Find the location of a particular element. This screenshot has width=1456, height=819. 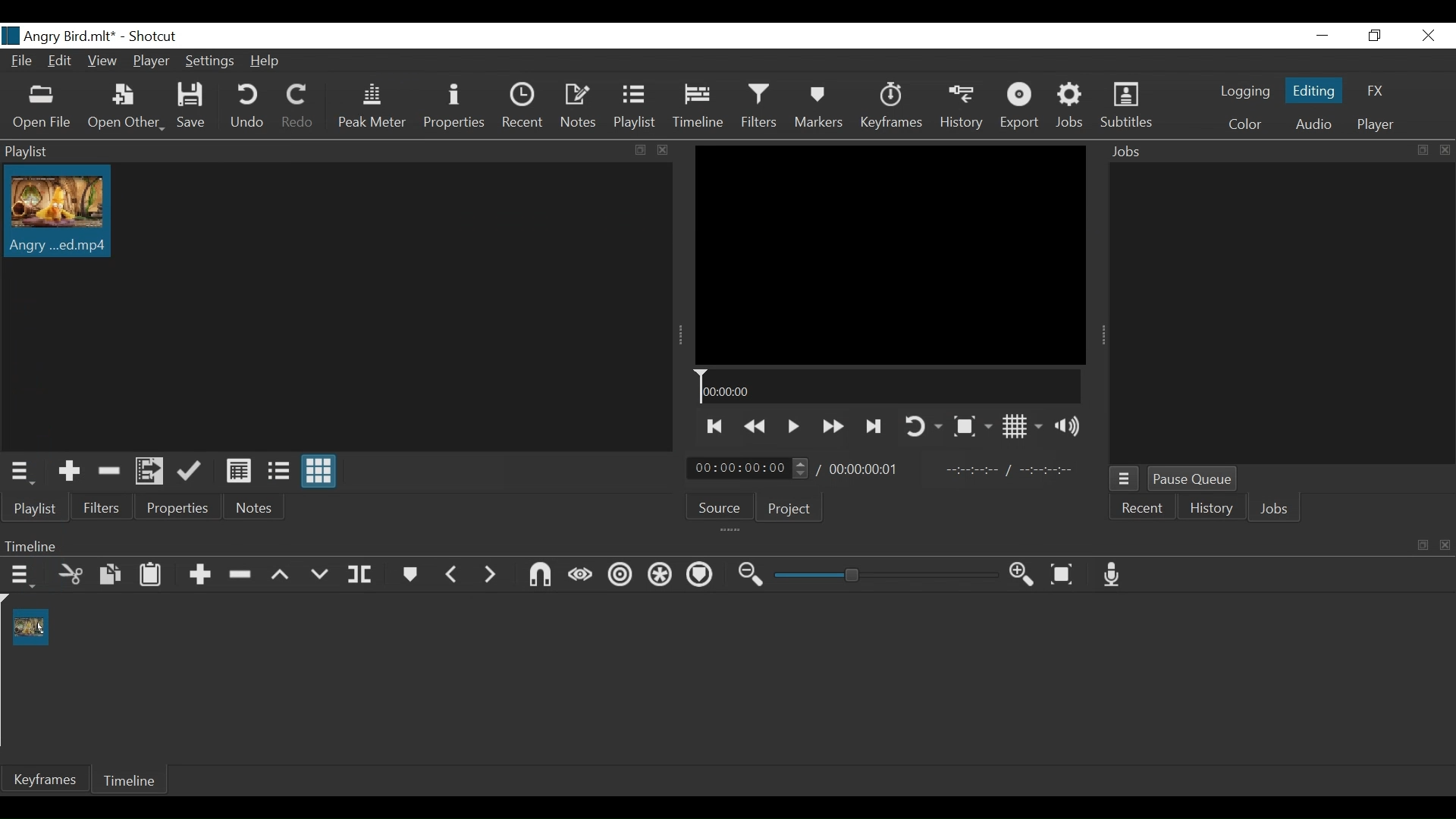

Zoom timeline fit is located at coordinates (1061, 574).